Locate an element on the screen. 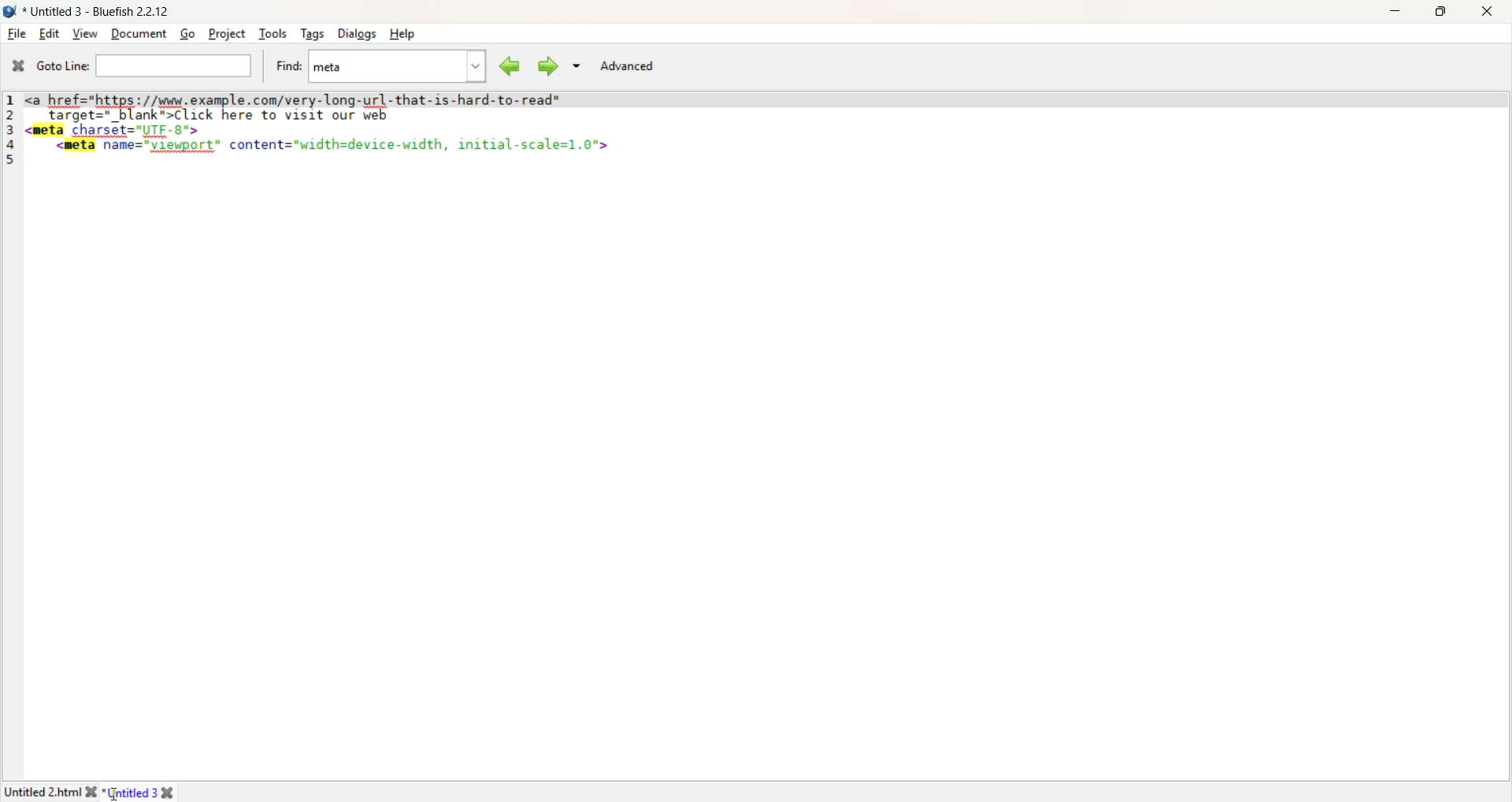 Image resolution: width=1512 pixels, height=802 pixels. File is located at coordinates (16, 34).